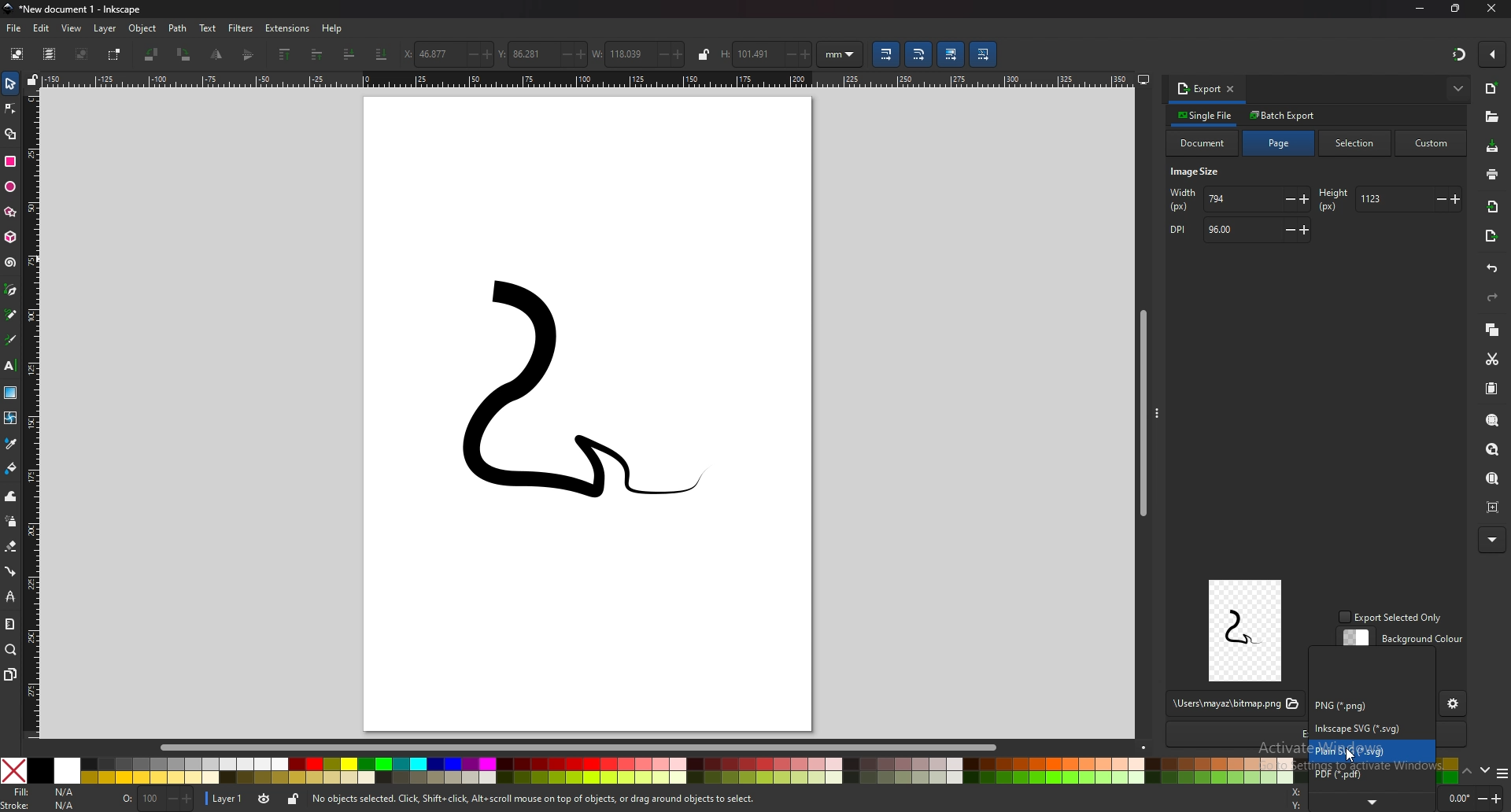 This screenshot has height=812, width=1511. What do you see at coordinates (264, 799) in the screenshot?
I see `toggle visibility` at bounding box center [264, 799].